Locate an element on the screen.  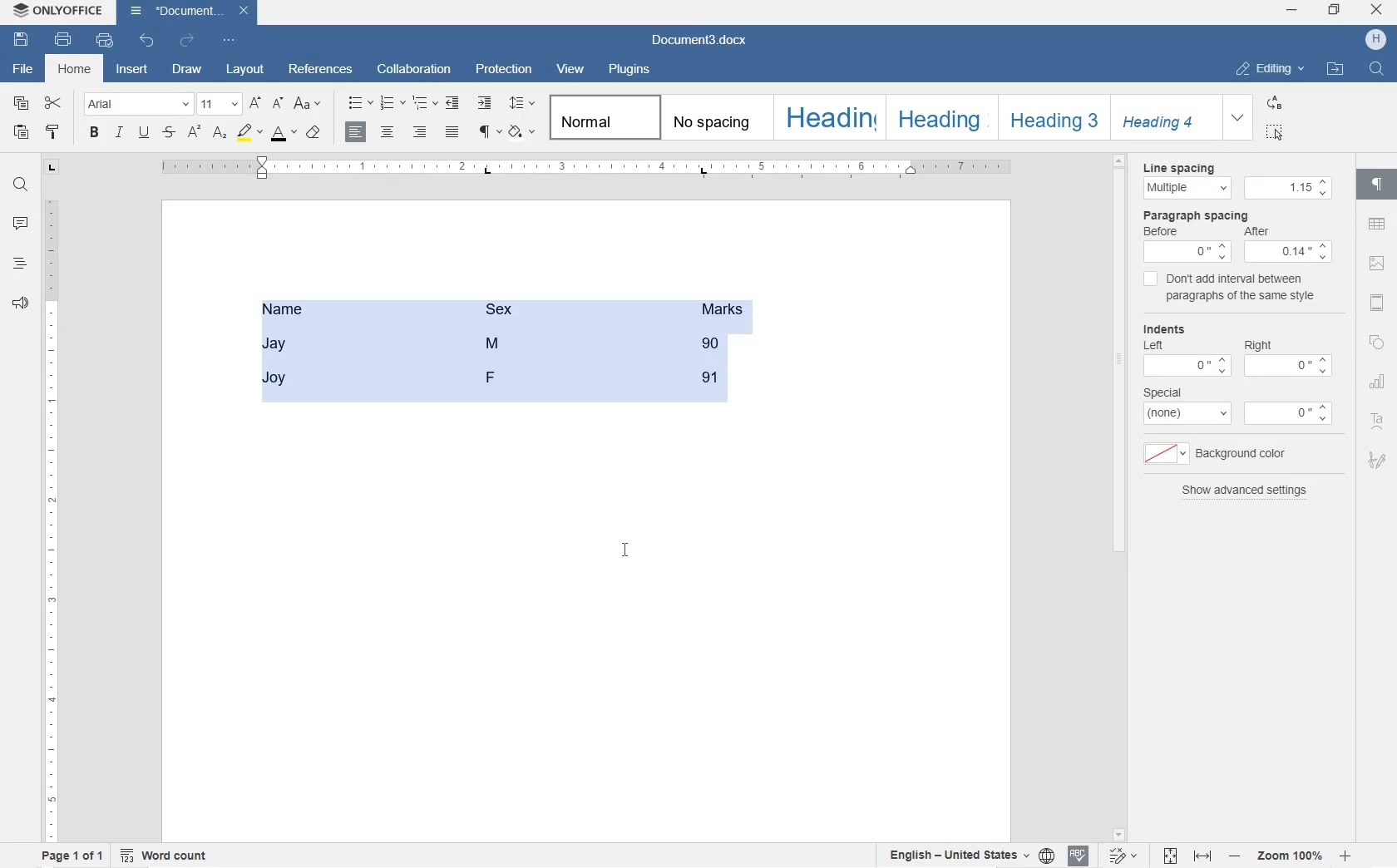
HEADERS & FOOTERS is located at coordinates (1377, 301).